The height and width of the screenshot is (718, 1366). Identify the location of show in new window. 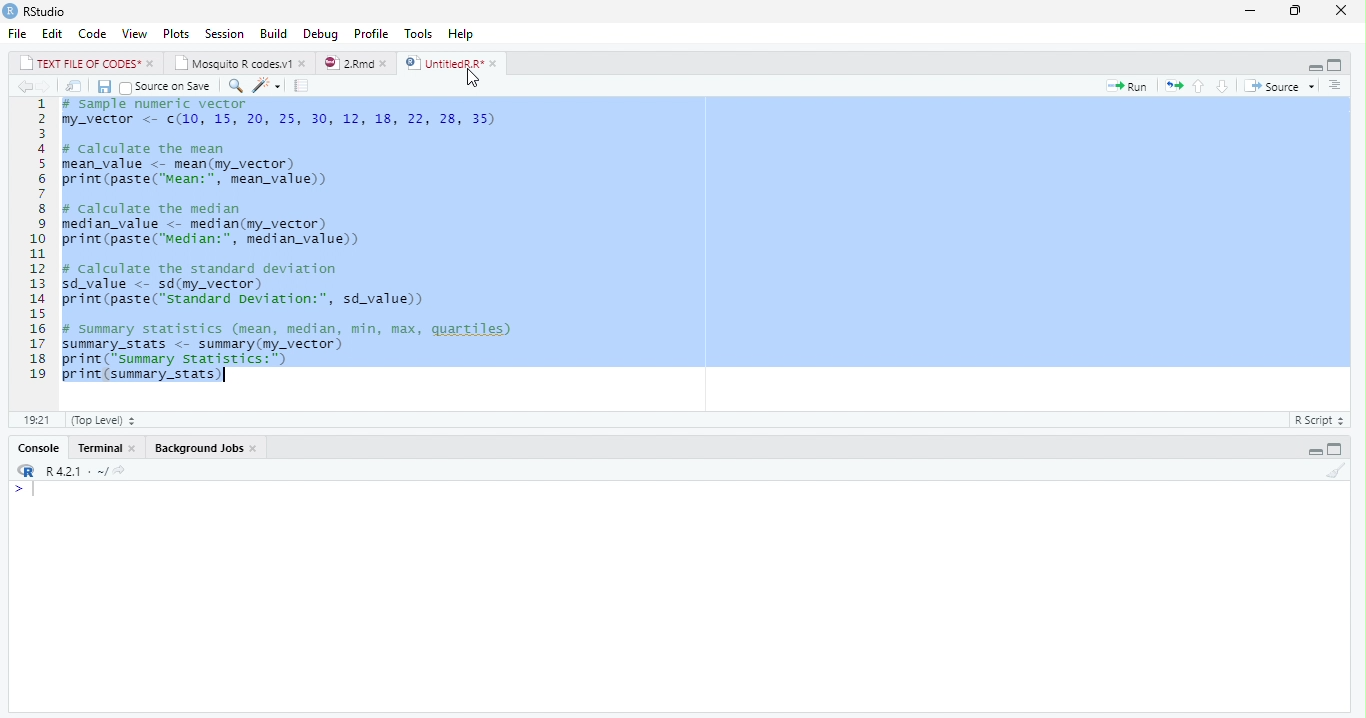
(76, 87).